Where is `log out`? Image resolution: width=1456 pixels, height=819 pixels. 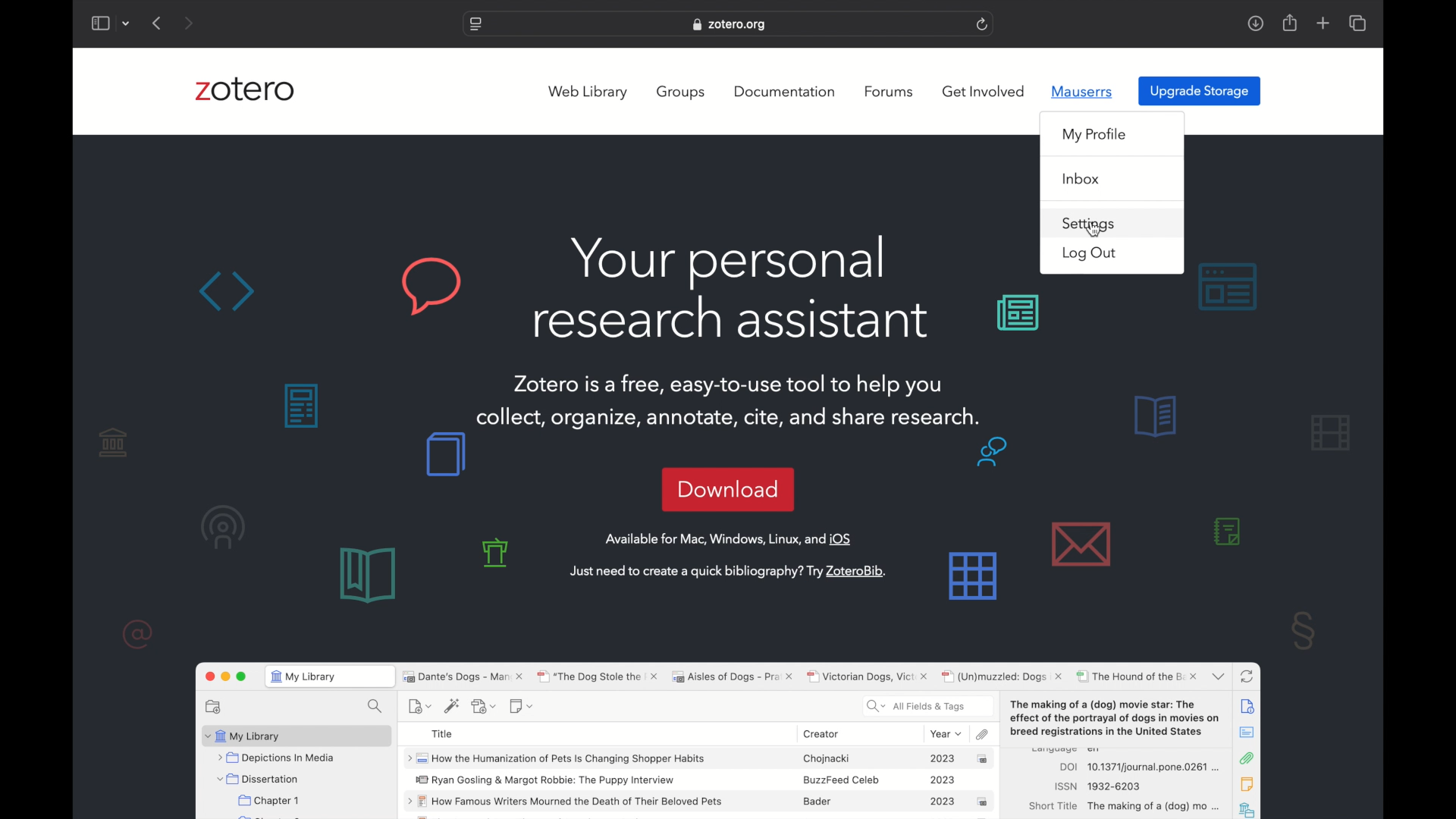 log out is located at coordinates (1090, 254).